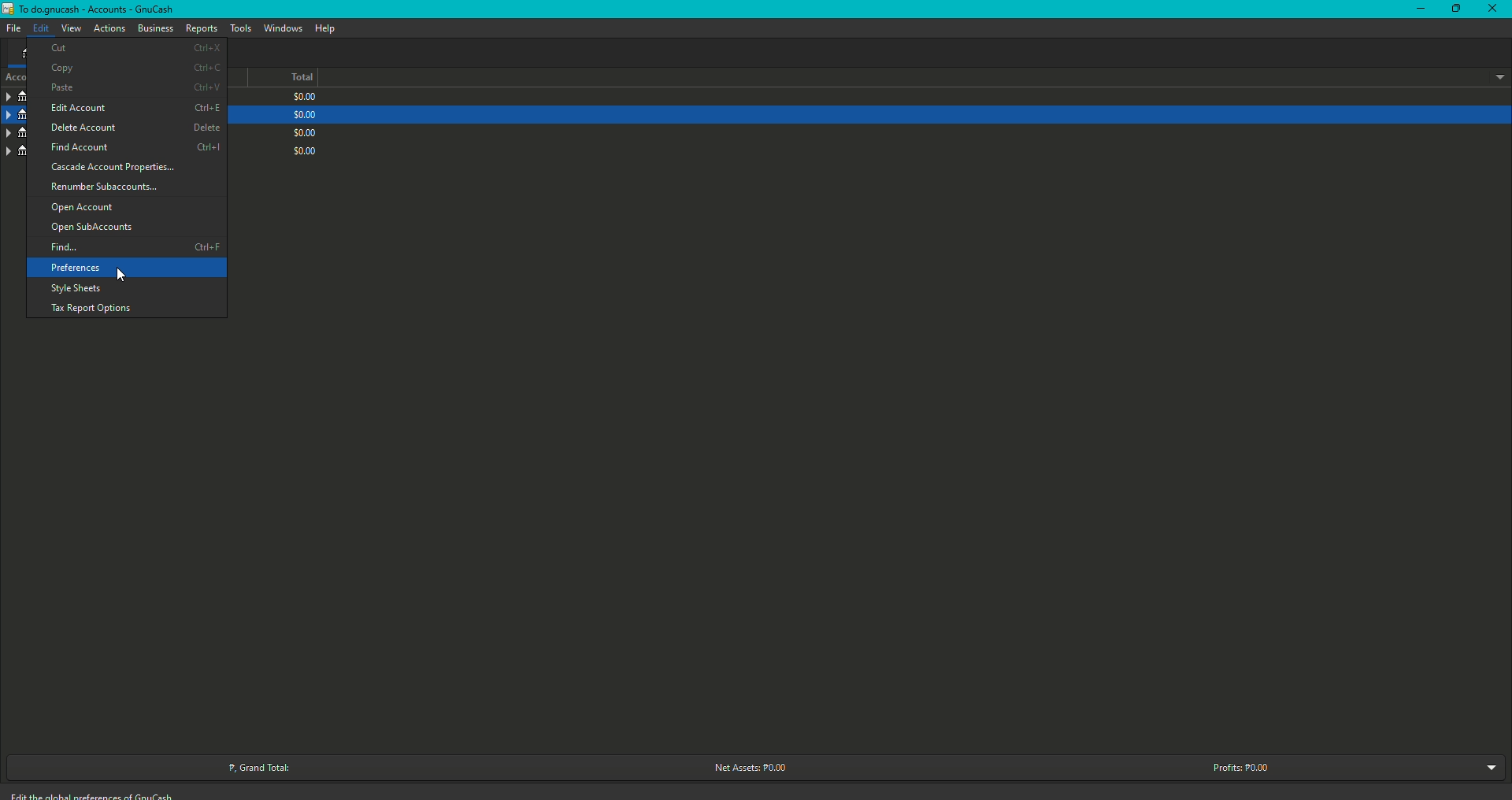 The width and height of the screenshot is (1512, 800). I want to click on $0, so click(303, 115).